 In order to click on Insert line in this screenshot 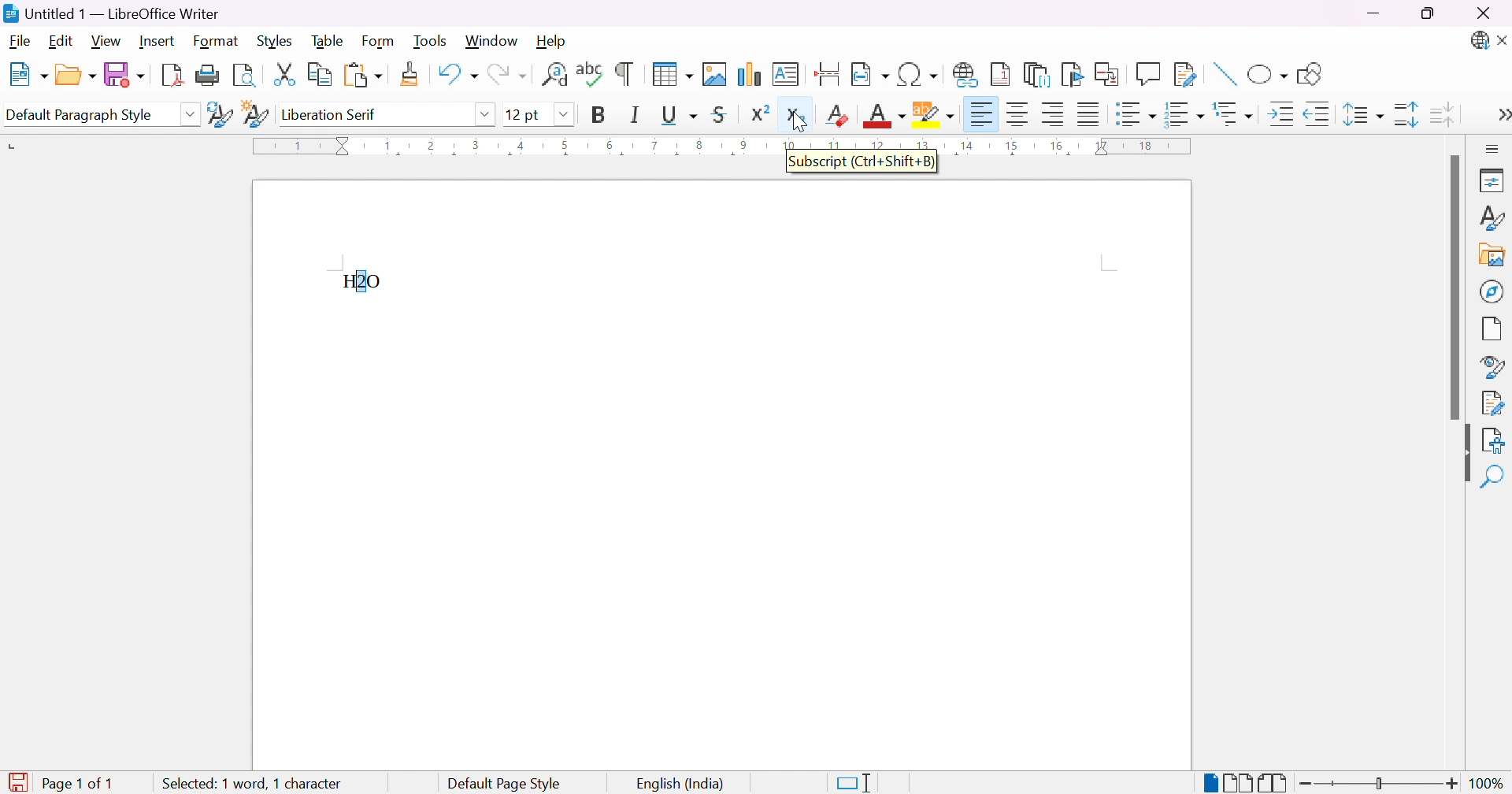, I will do `click(1223, 76)`.